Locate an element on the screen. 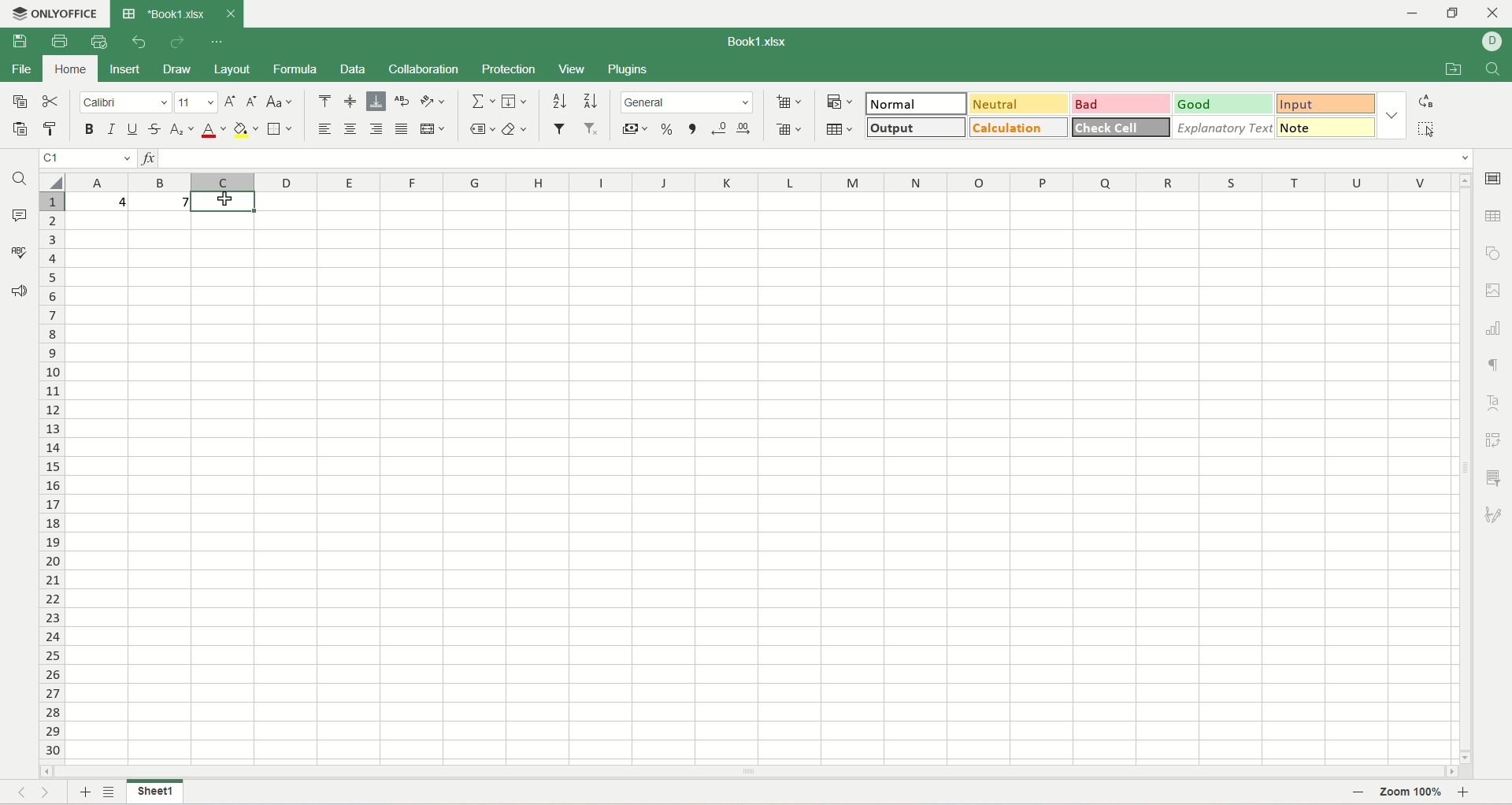  sort ascending is located at coordinates (558, 101).